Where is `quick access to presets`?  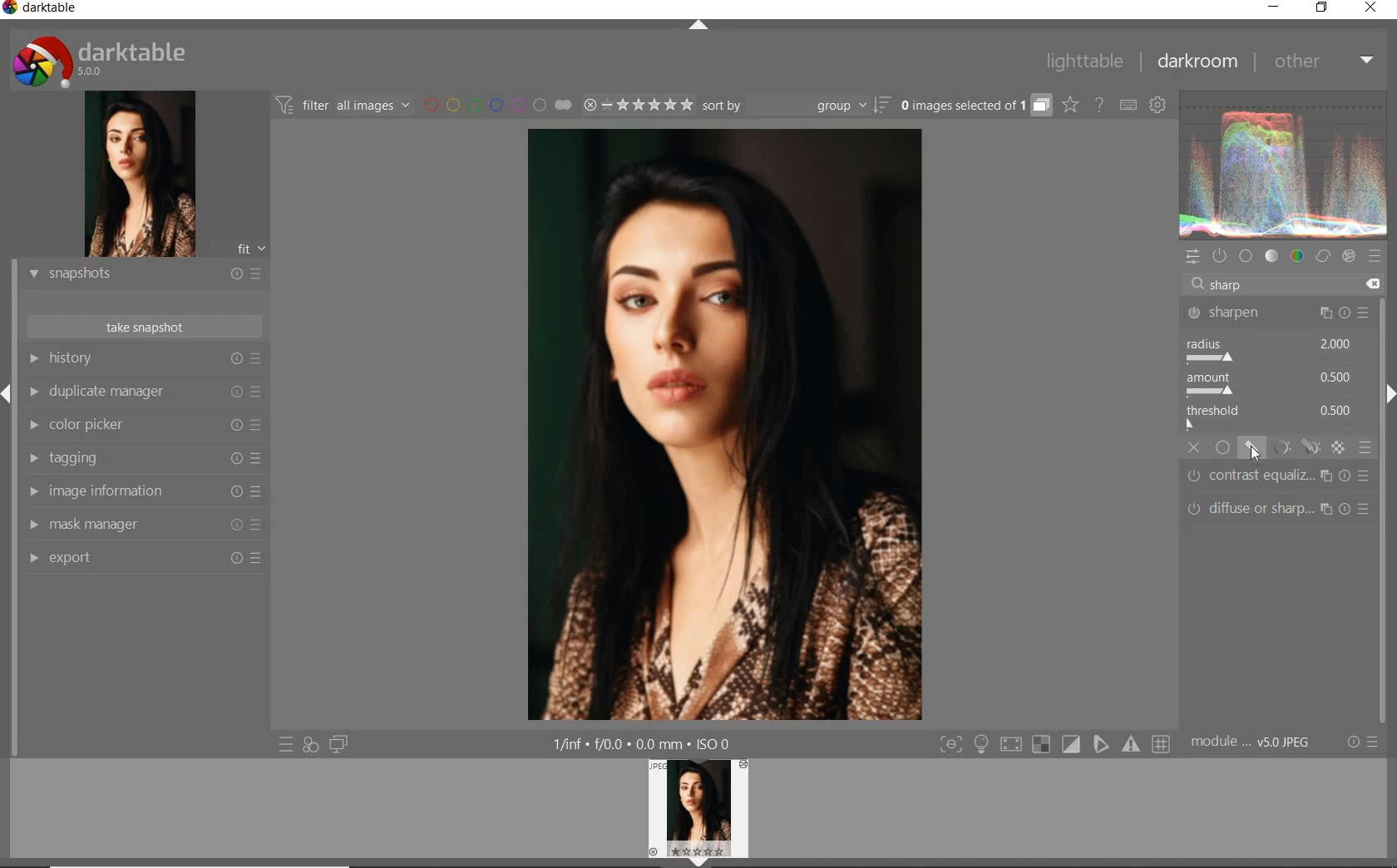 quick access to presets is located at coordinates (287, 744).